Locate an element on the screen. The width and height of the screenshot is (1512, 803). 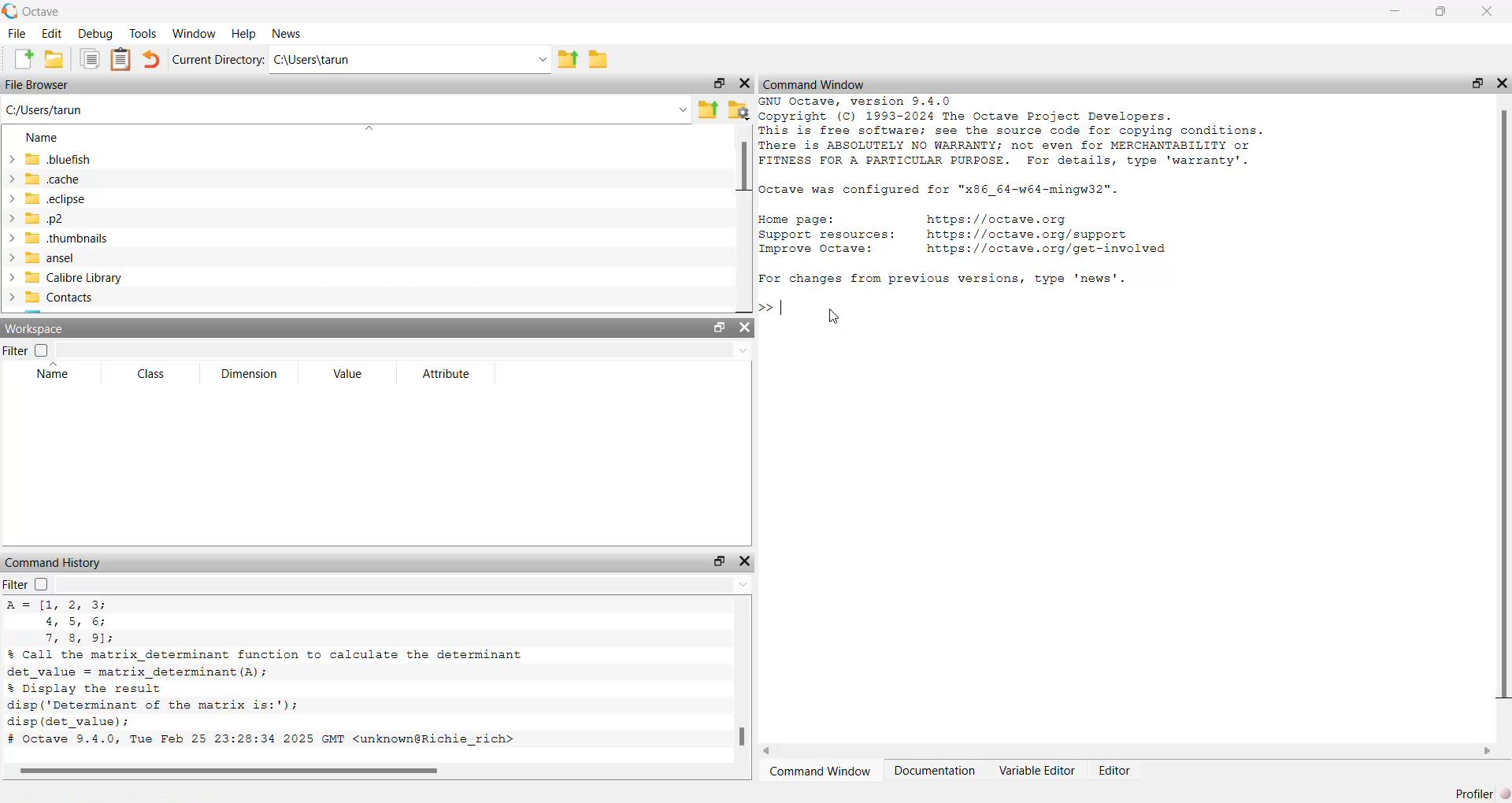
maximize is located at coordinates (717, 329).